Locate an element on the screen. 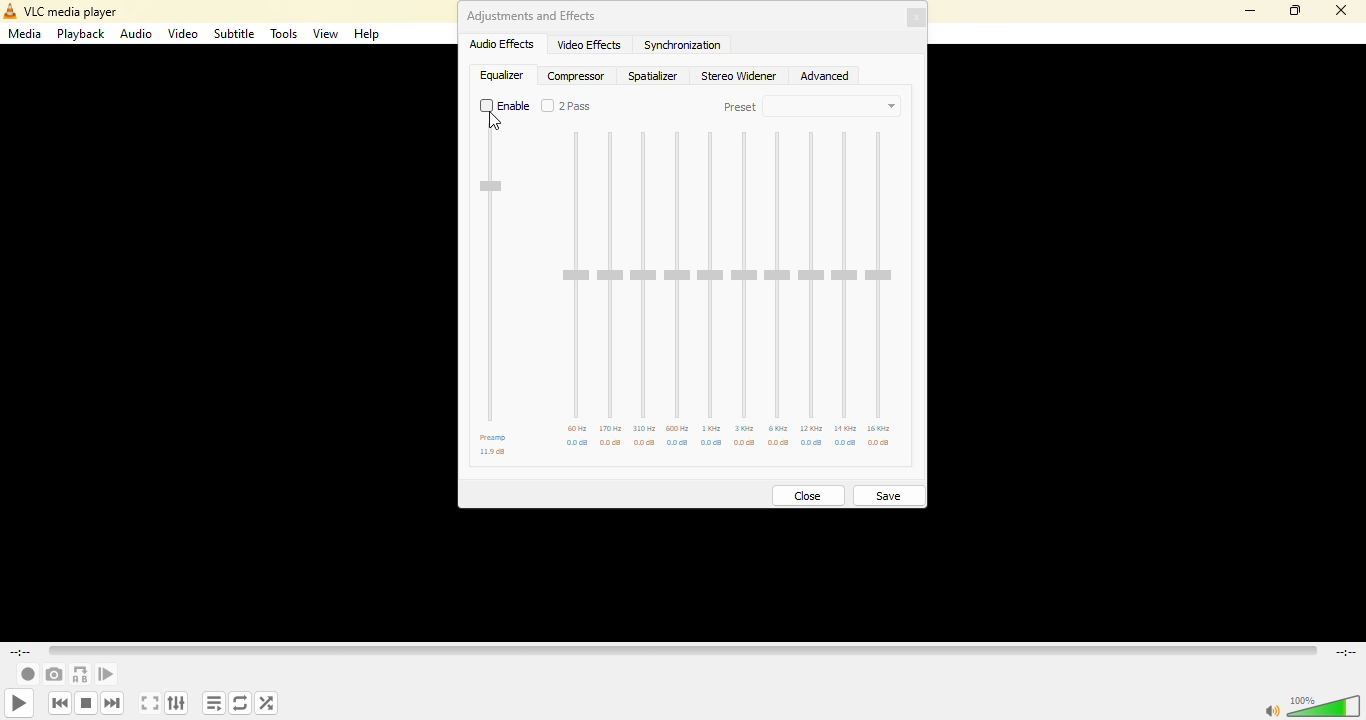 Image resolution: width=1366 pixels, height=720 pixels. db is located at coordinates (812, 443).